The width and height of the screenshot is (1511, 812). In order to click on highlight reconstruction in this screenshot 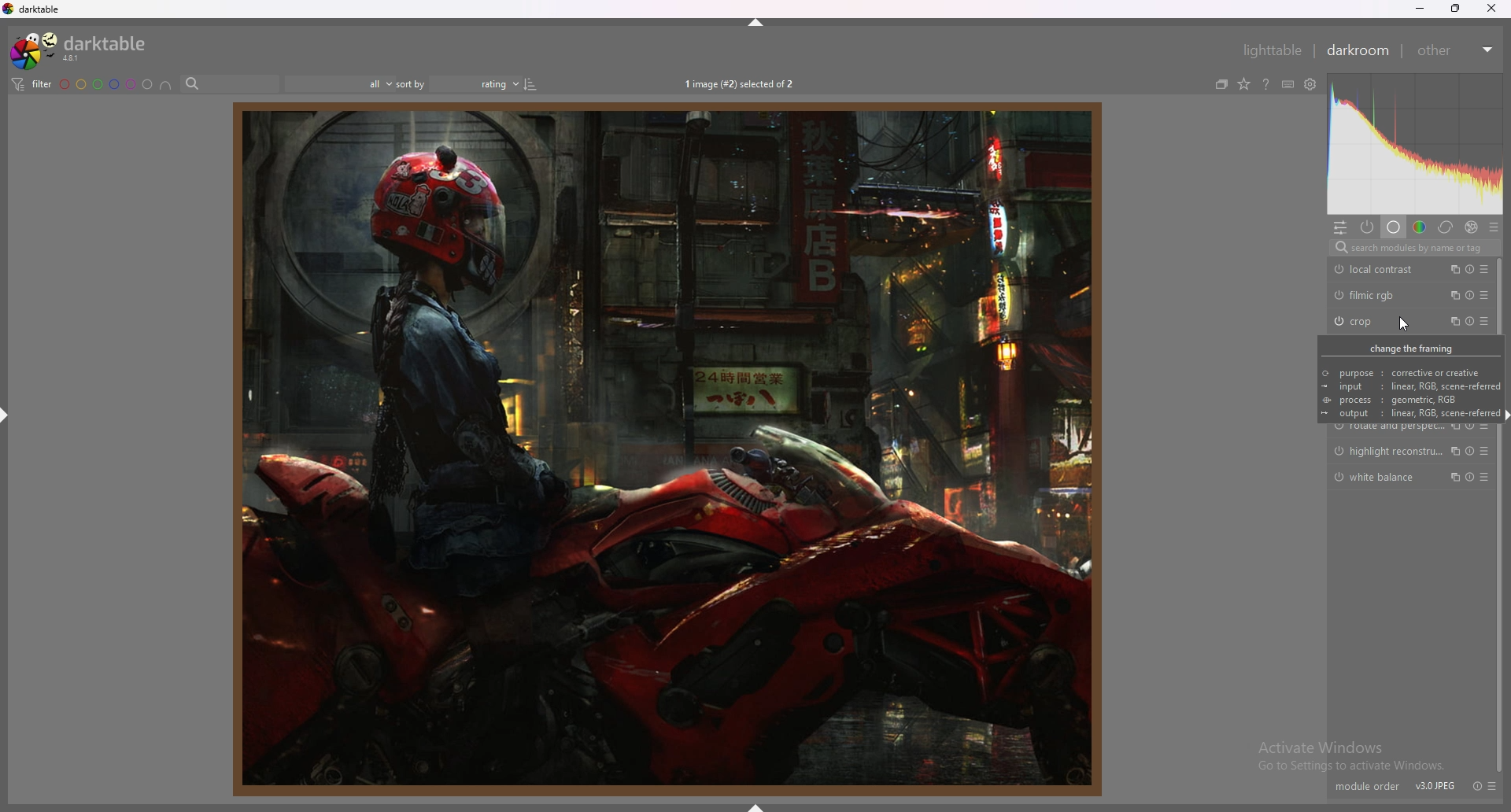, I will do `click(1386, 451)`.